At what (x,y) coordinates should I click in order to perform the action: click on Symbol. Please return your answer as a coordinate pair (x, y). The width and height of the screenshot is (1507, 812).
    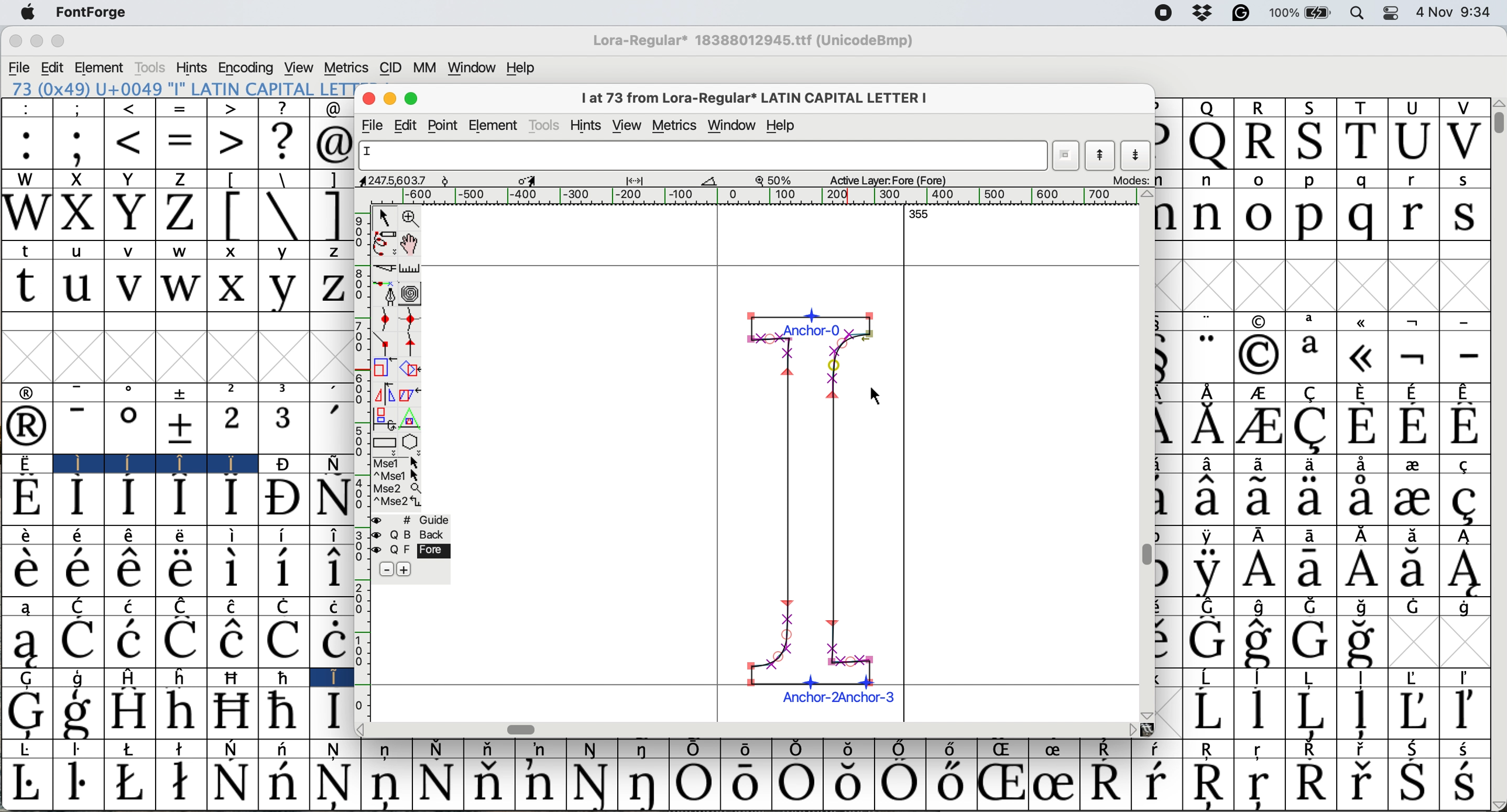
    Looking at the image, I should click on (229, 782).